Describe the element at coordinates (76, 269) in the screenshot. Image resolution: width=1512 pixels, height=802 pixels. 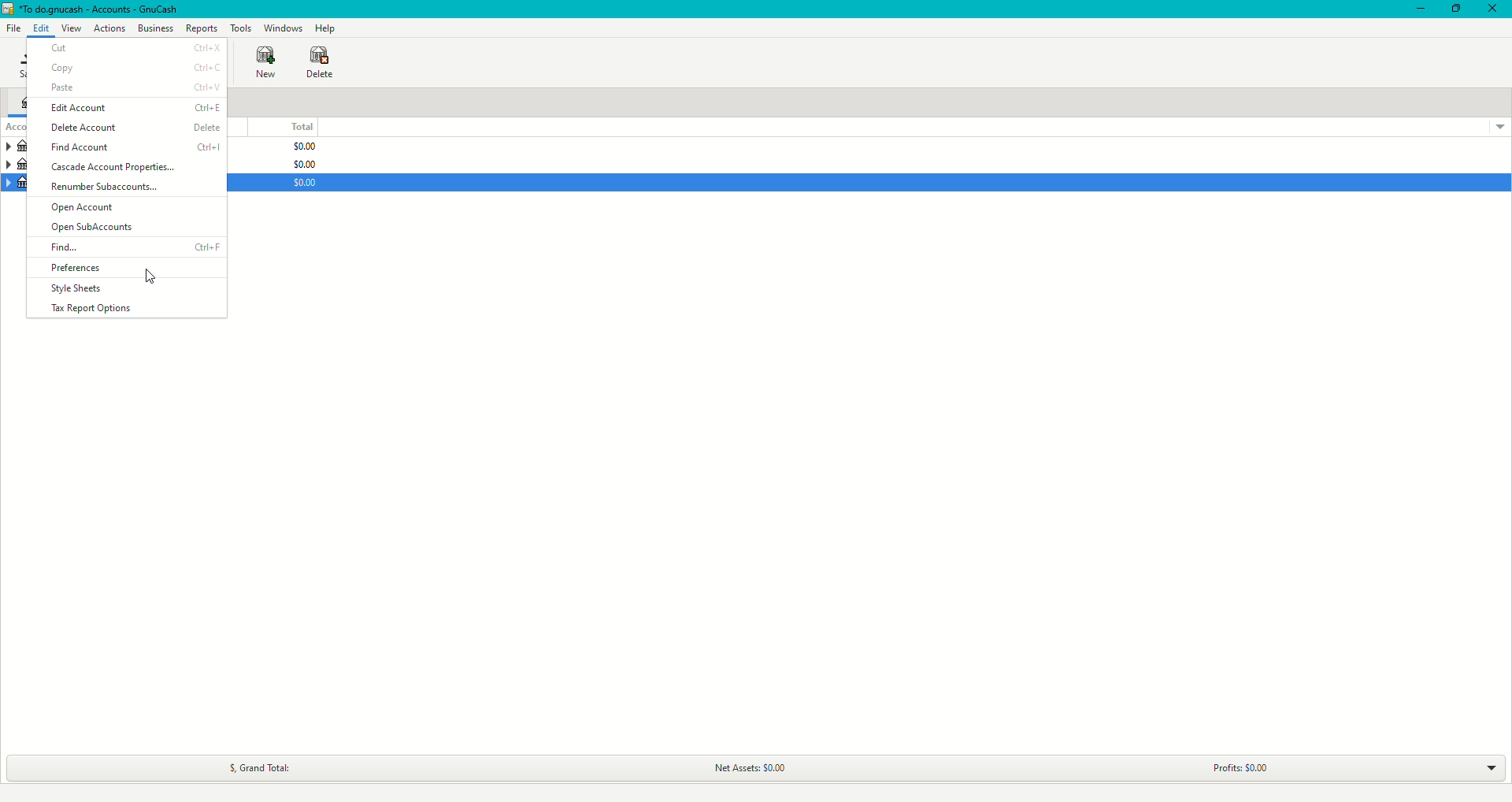
I see `Preferences` at that location.